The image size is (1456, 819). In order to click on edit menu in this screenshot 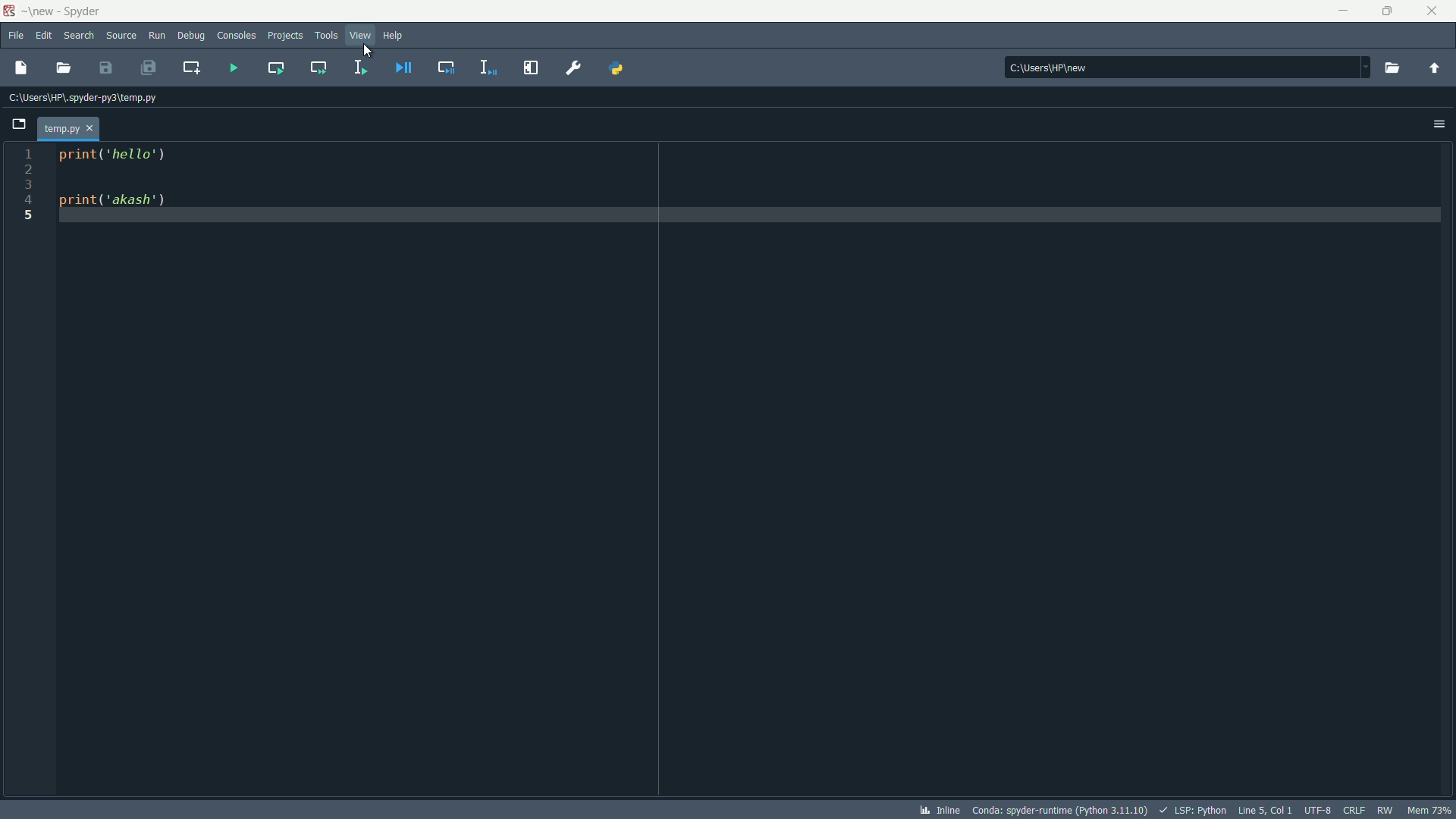, I will do `click(45, 36)`.